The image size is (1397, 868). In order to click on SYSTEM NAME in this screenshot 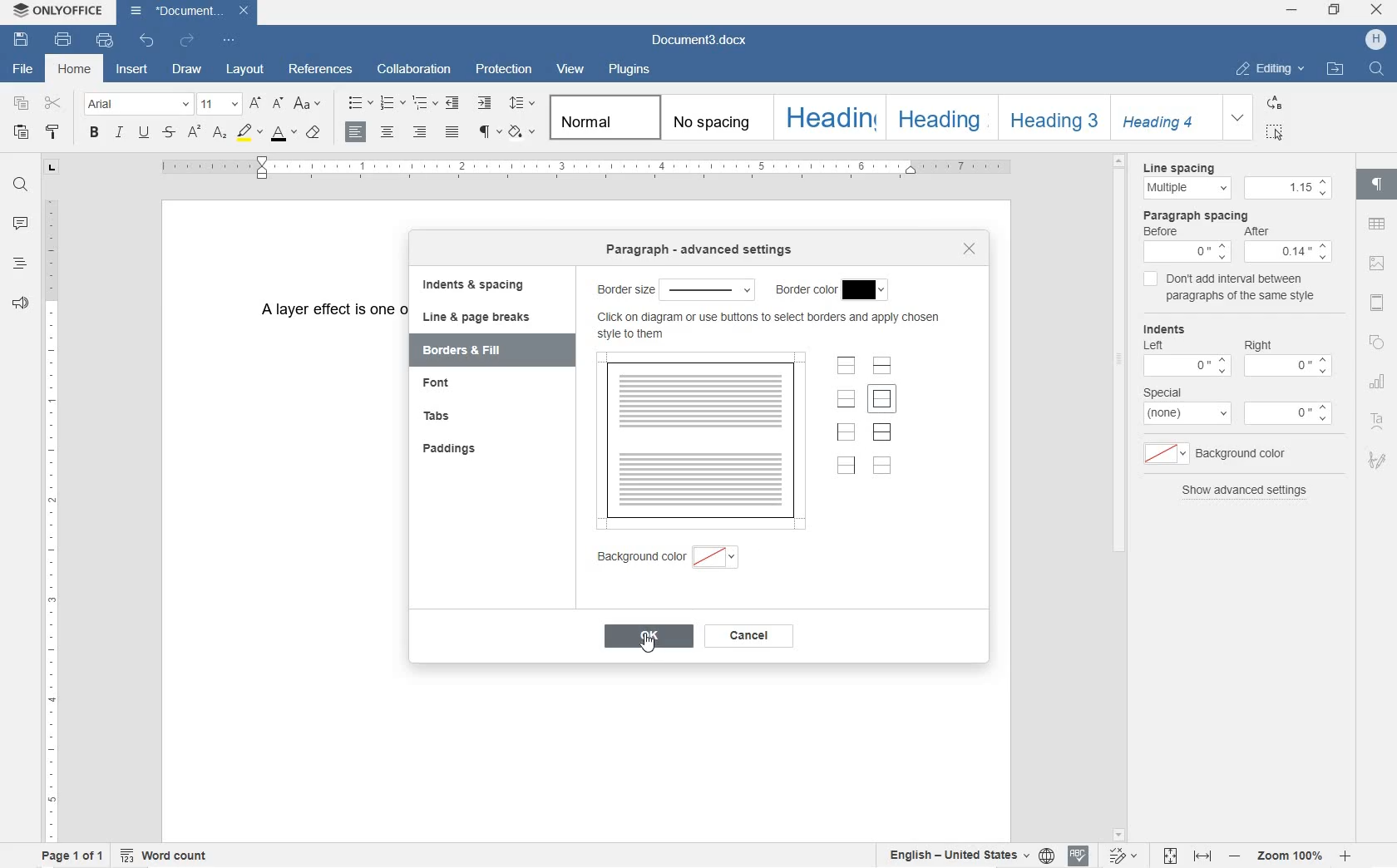, I will do `click(58, 12)`.